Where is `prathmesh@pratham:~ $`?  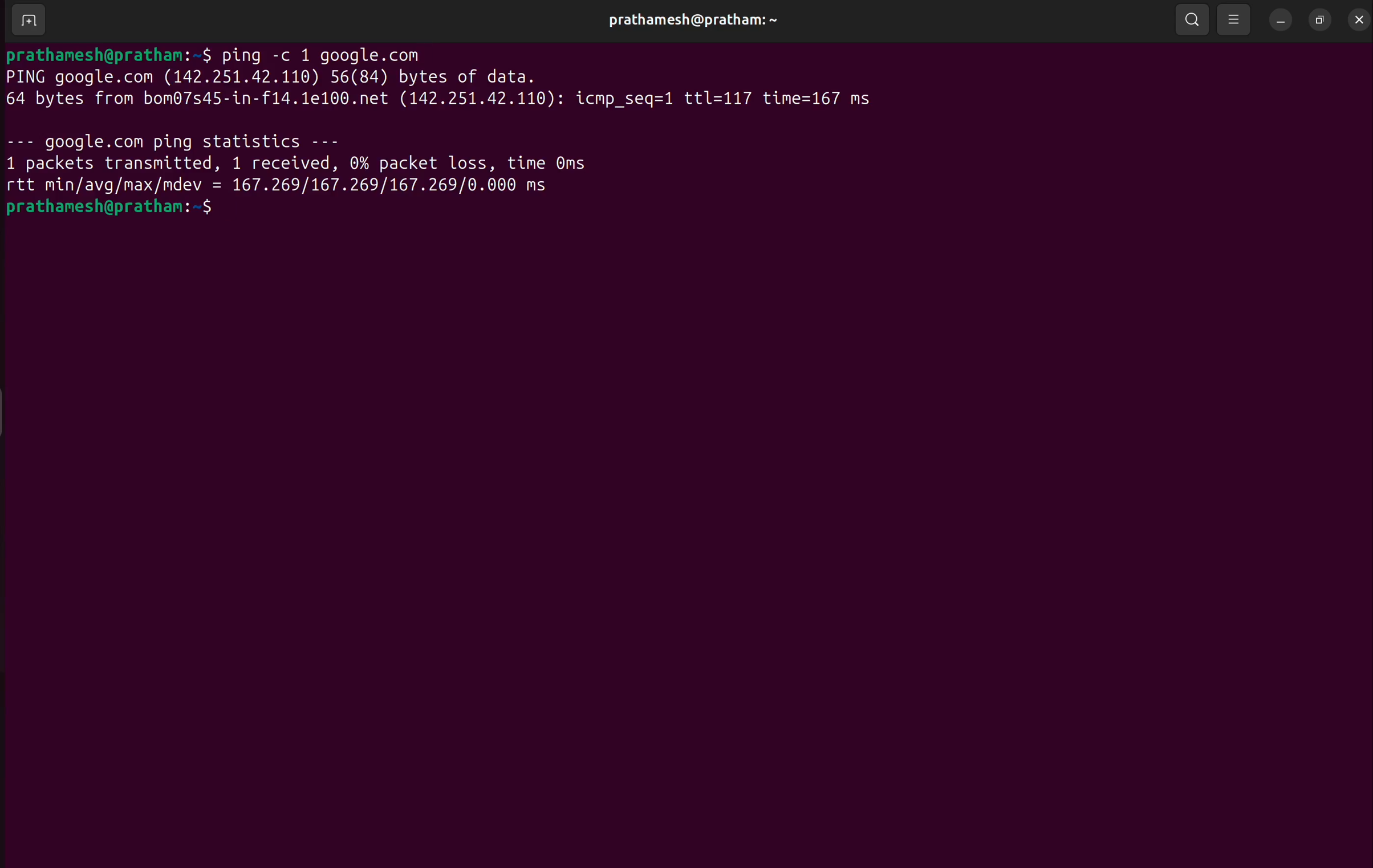
prathmesh@pratham:~ $ is located at coordinates (109, 52).